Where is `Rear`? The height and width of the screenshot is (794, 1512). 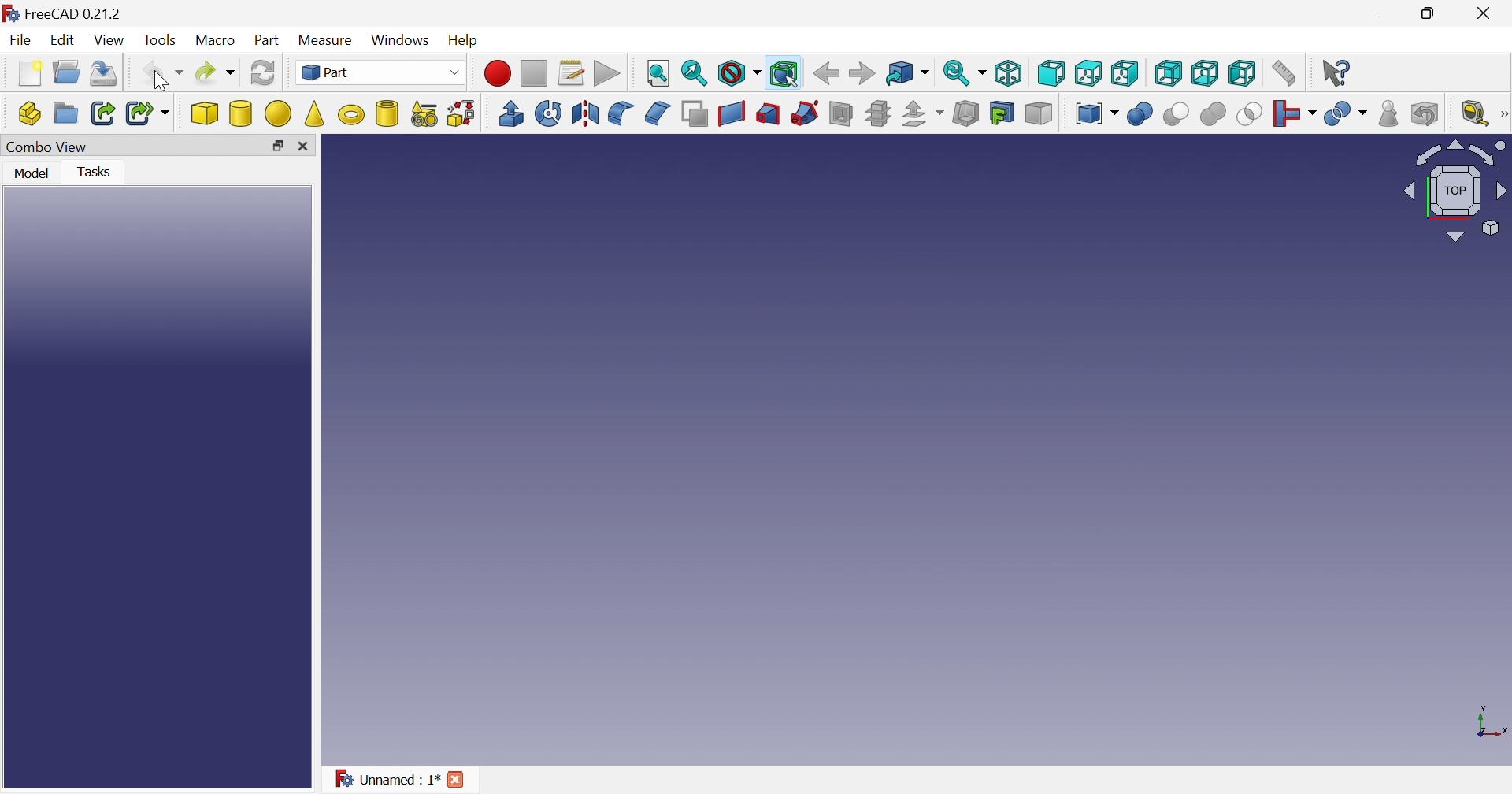
Rear is located at coordinates (1169, 74).